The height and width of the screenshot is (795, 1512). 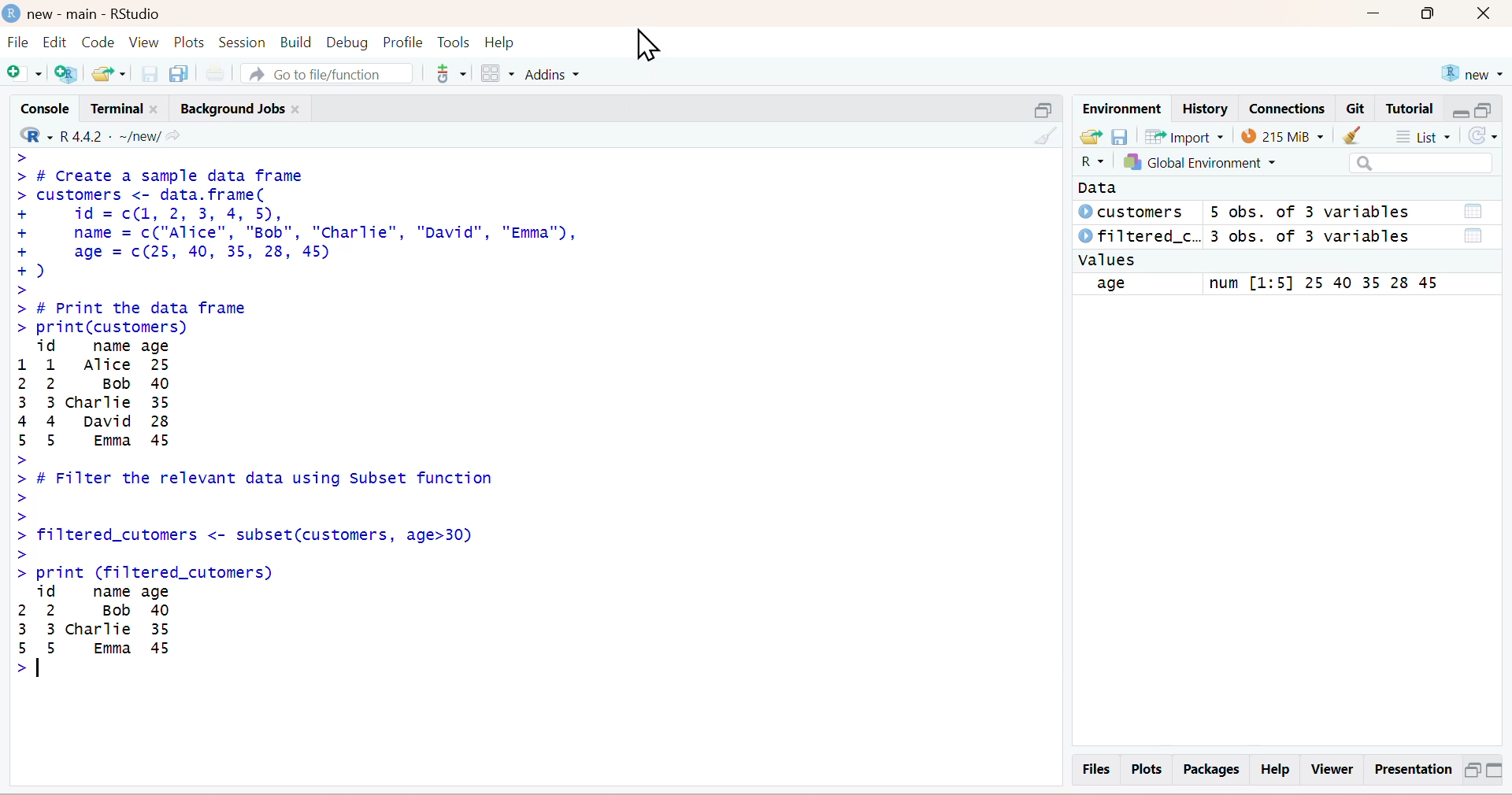 What do you see at coordinates (1121, 107) in the screenshot?
I see ` Environment` at bounding box center [1121, 107].